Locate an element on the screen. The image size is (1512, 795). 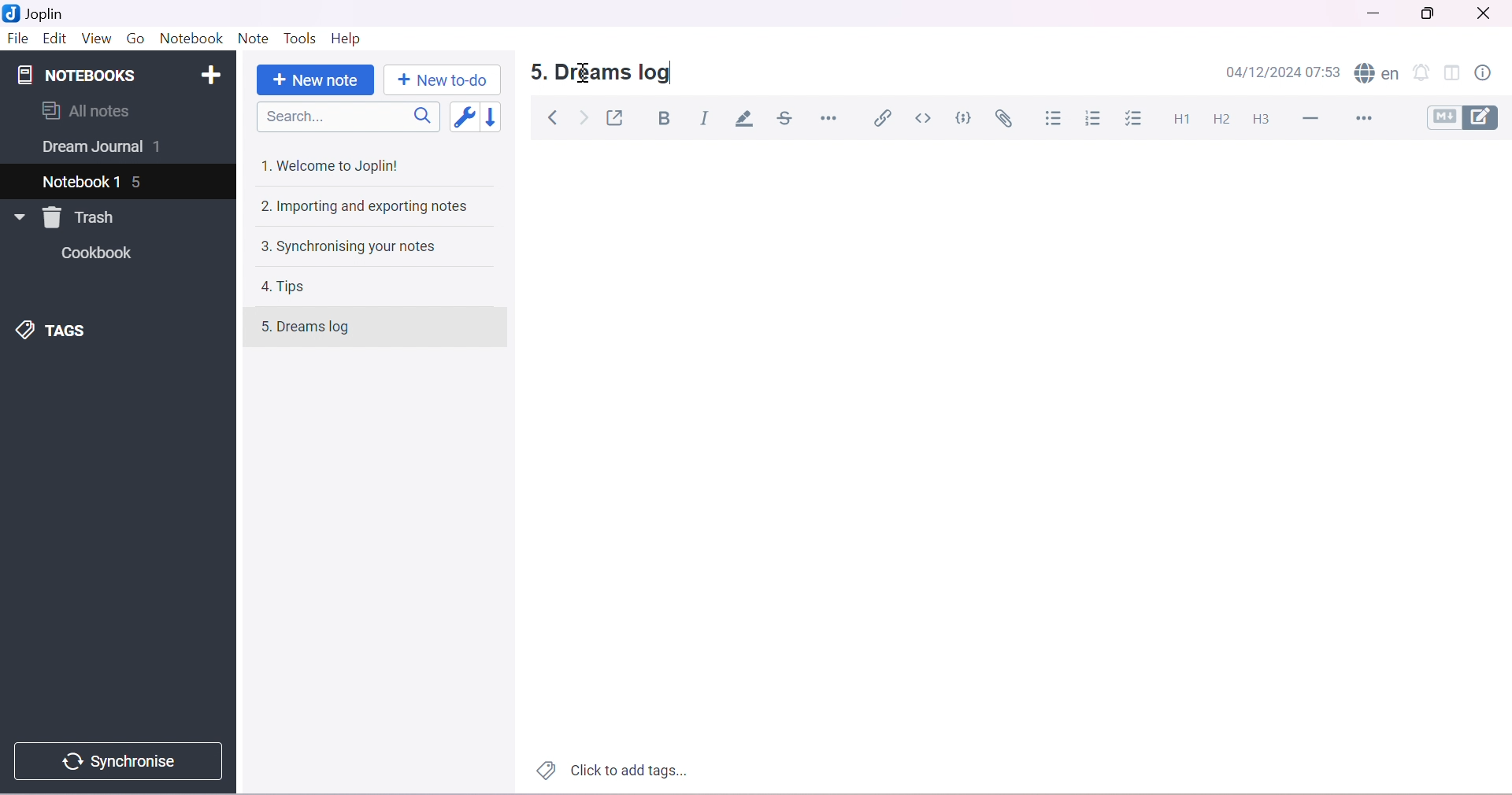
1 is located at coordinates (162, 148).